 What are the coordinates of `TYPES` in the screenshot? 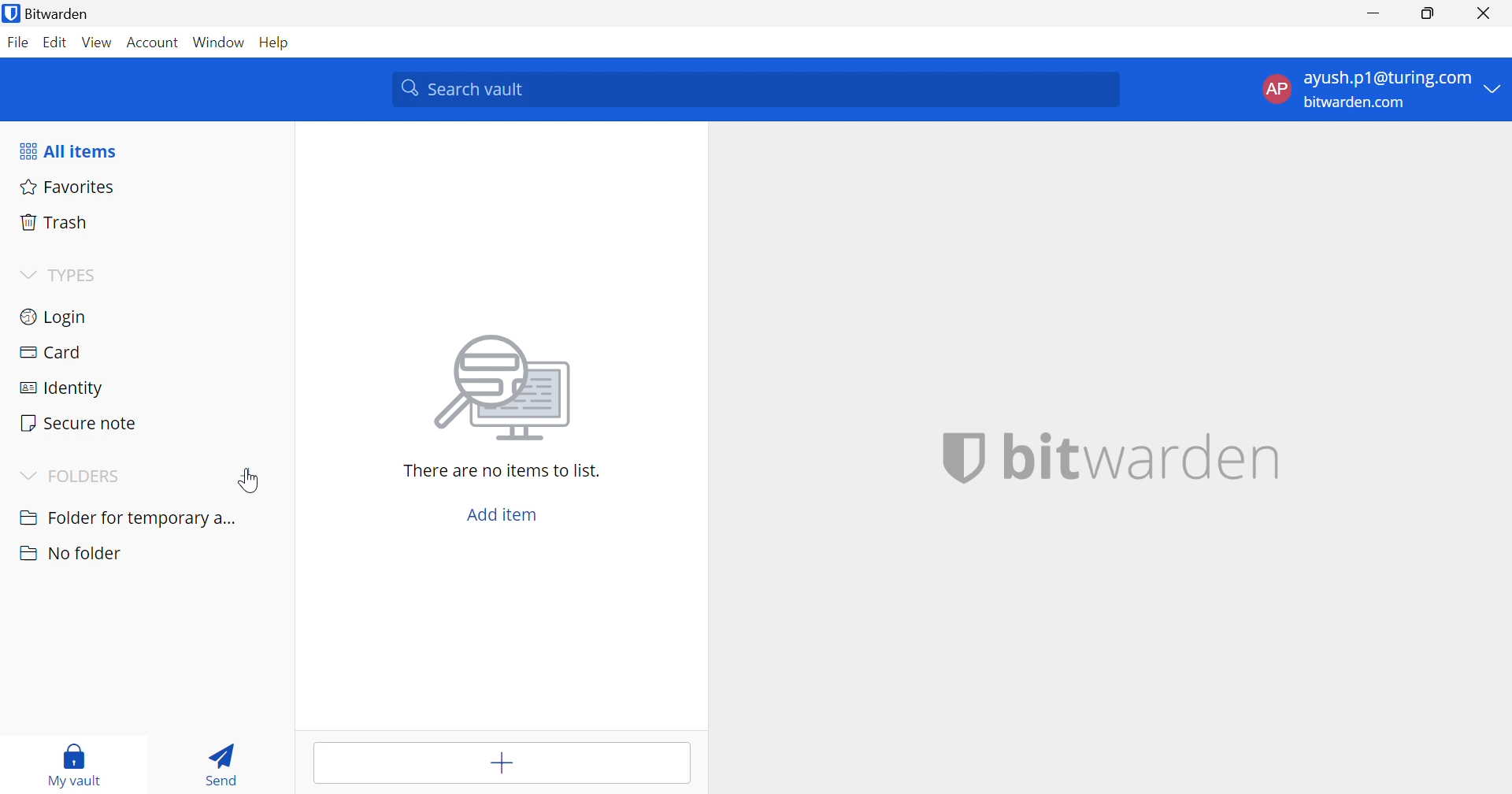 It's located at (73, 274).